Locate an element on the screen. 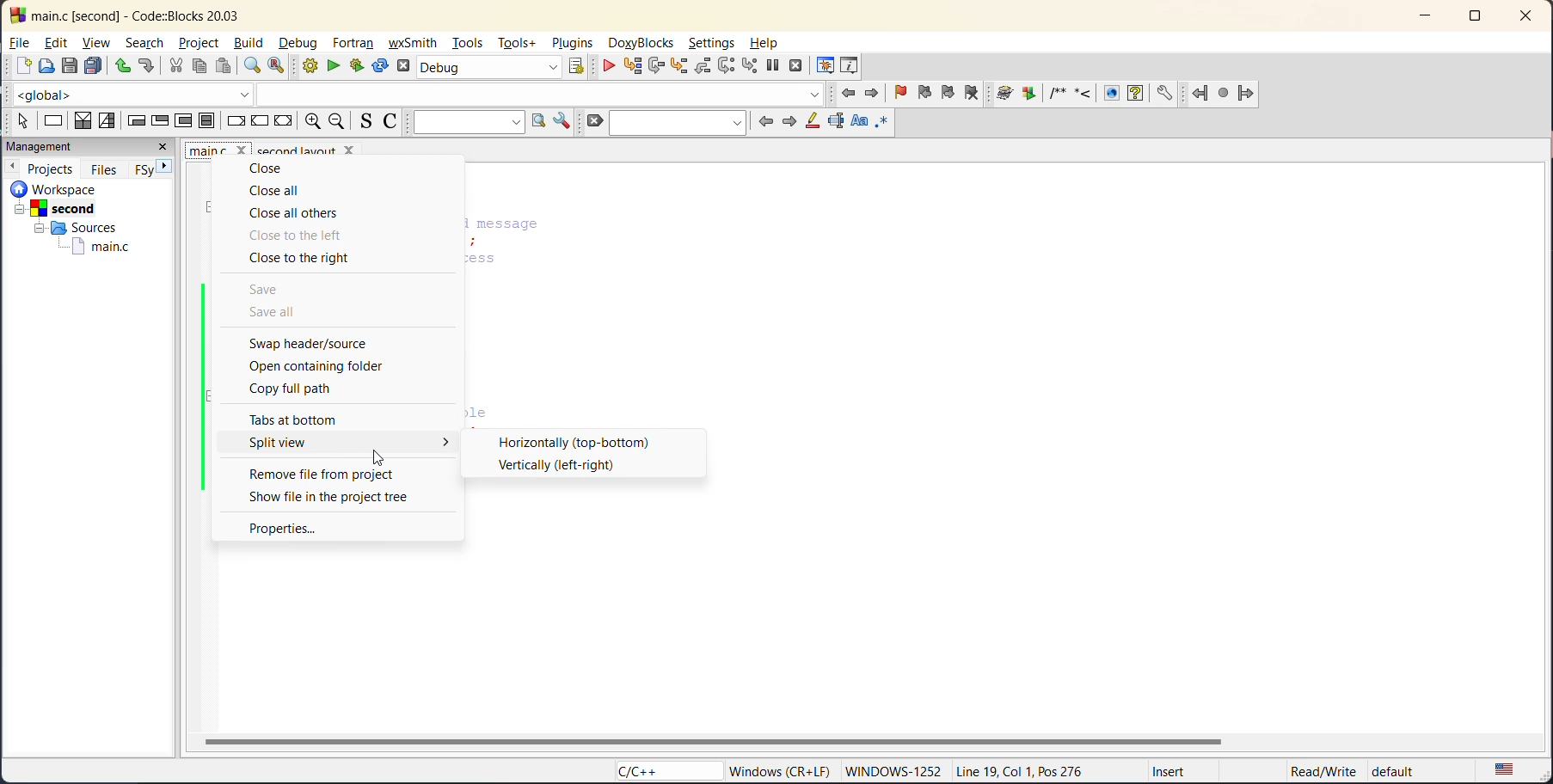 This screenshot has height=784, width=1553. close all is located at coordinates (277, 191).